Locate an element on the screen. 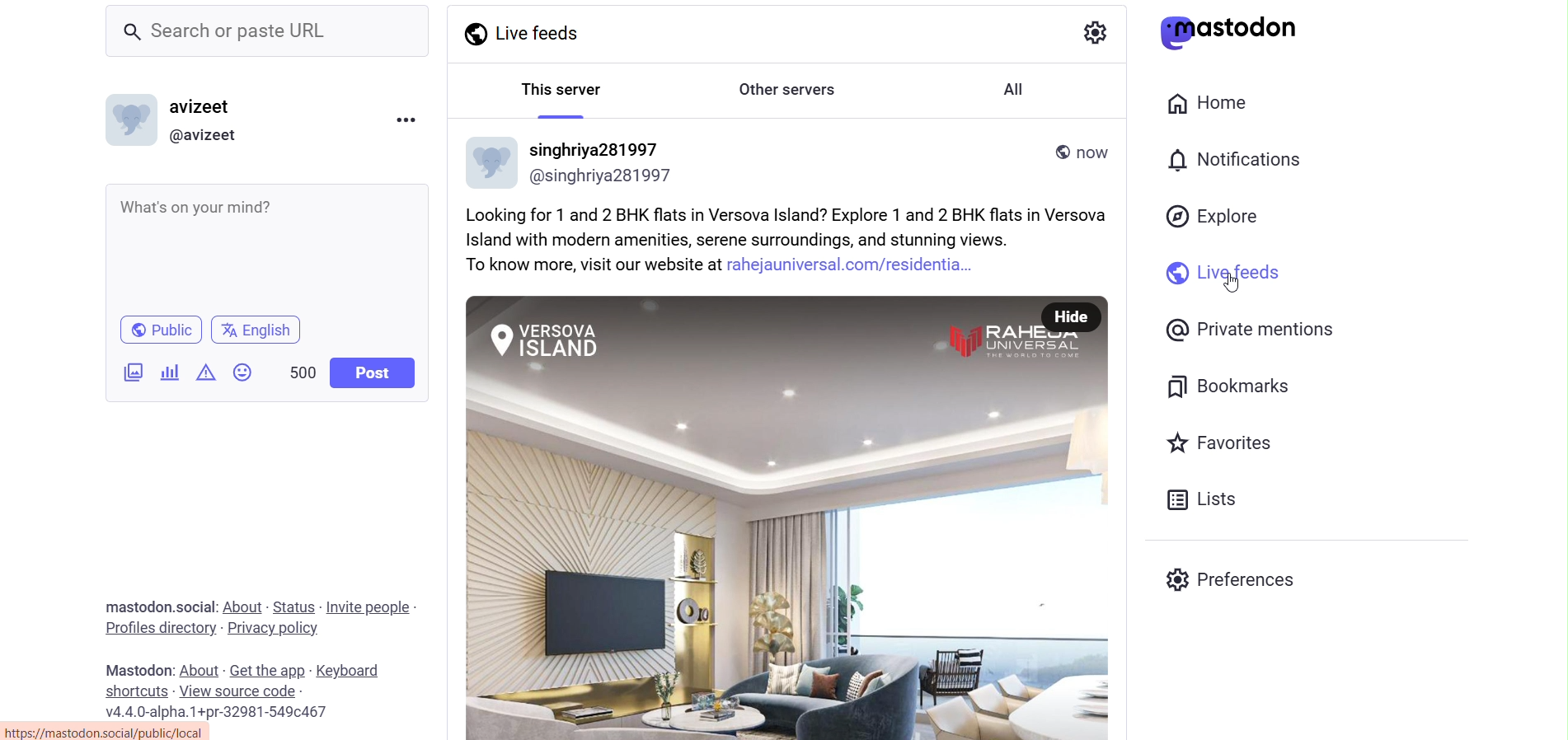 The height and width of the screenshot is (740, 1568). User Profile Picture is located at coordinates (493, 160).